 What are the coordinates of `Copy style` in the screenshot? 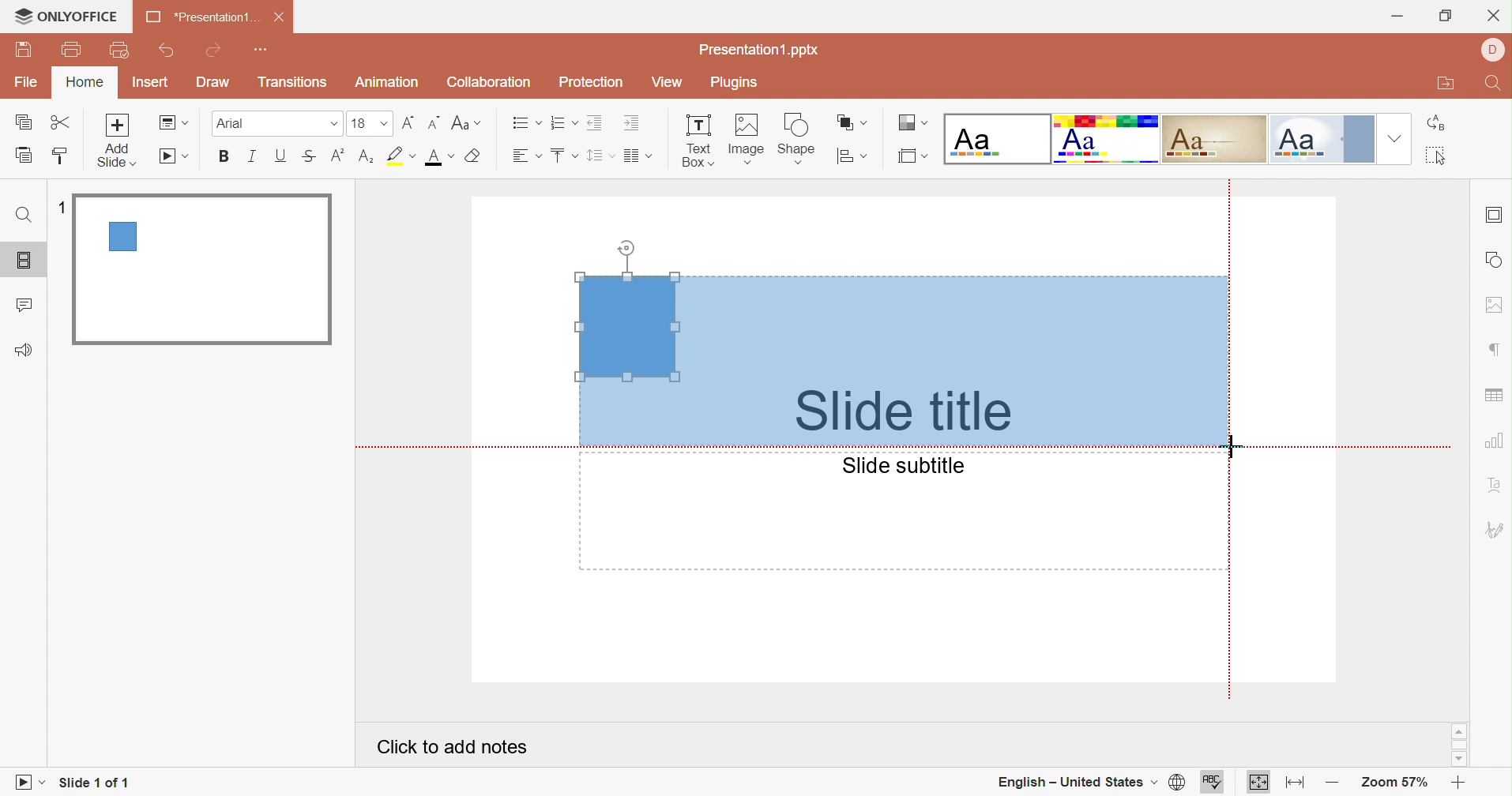 It's located at (57, 157).